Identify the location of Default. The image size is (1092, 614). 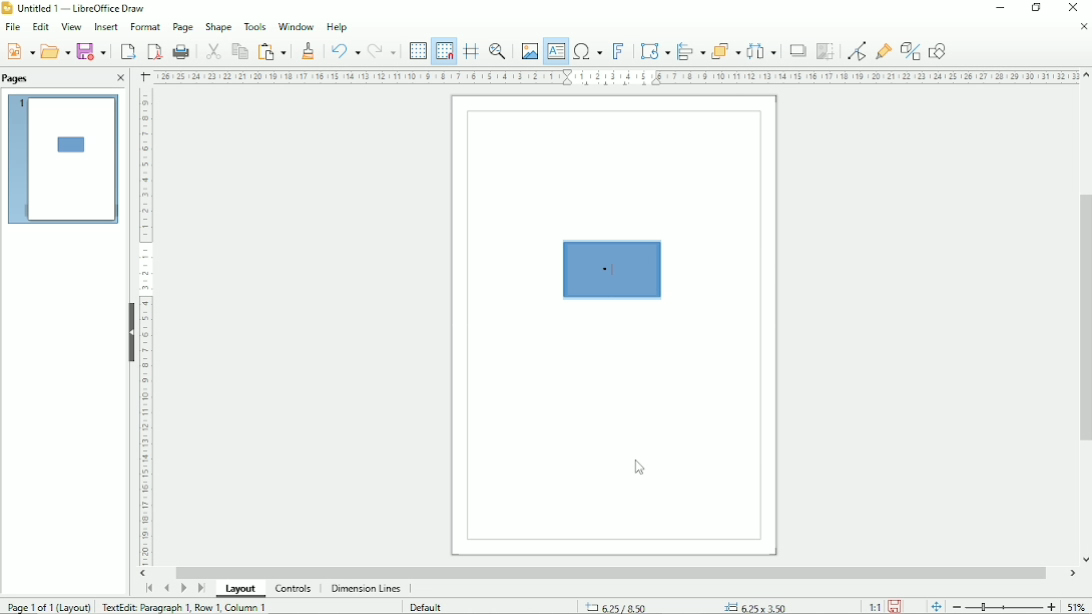
(428, 606).